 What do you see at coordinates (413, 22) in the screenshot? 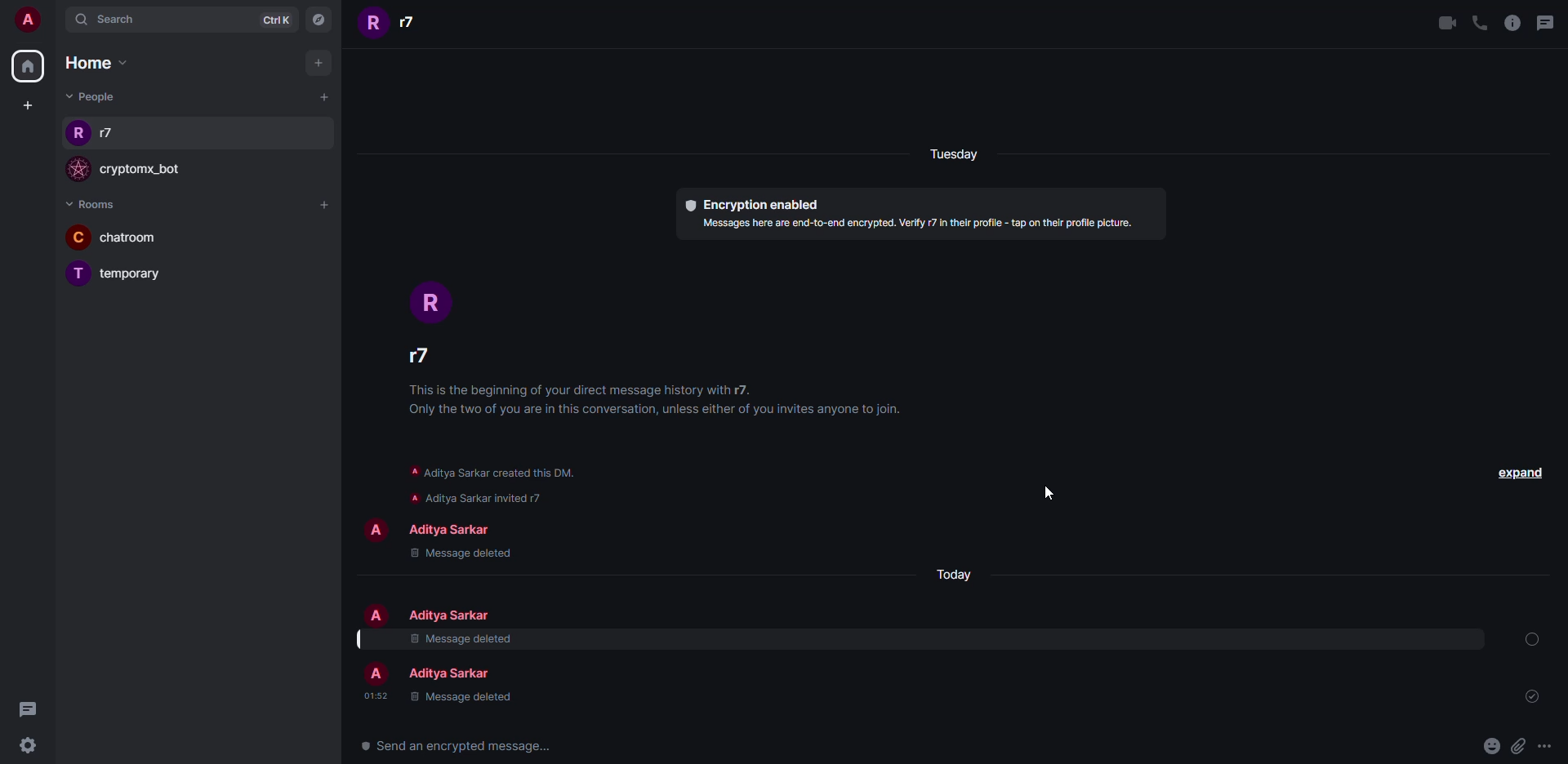
I see `people` at bounding box center [413, 22].